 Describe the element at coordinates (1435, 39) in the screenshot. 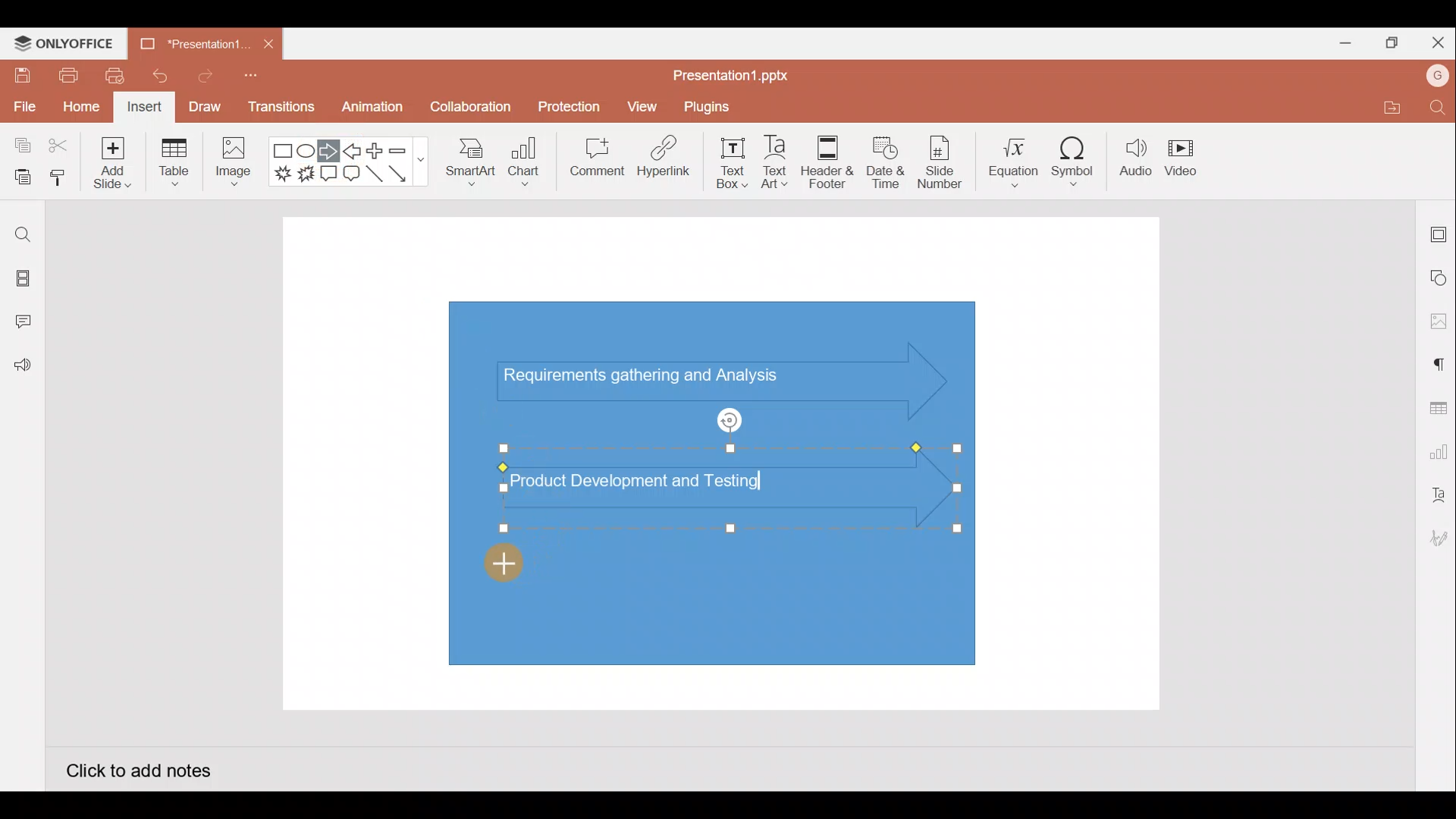

I see `Close` at that location.